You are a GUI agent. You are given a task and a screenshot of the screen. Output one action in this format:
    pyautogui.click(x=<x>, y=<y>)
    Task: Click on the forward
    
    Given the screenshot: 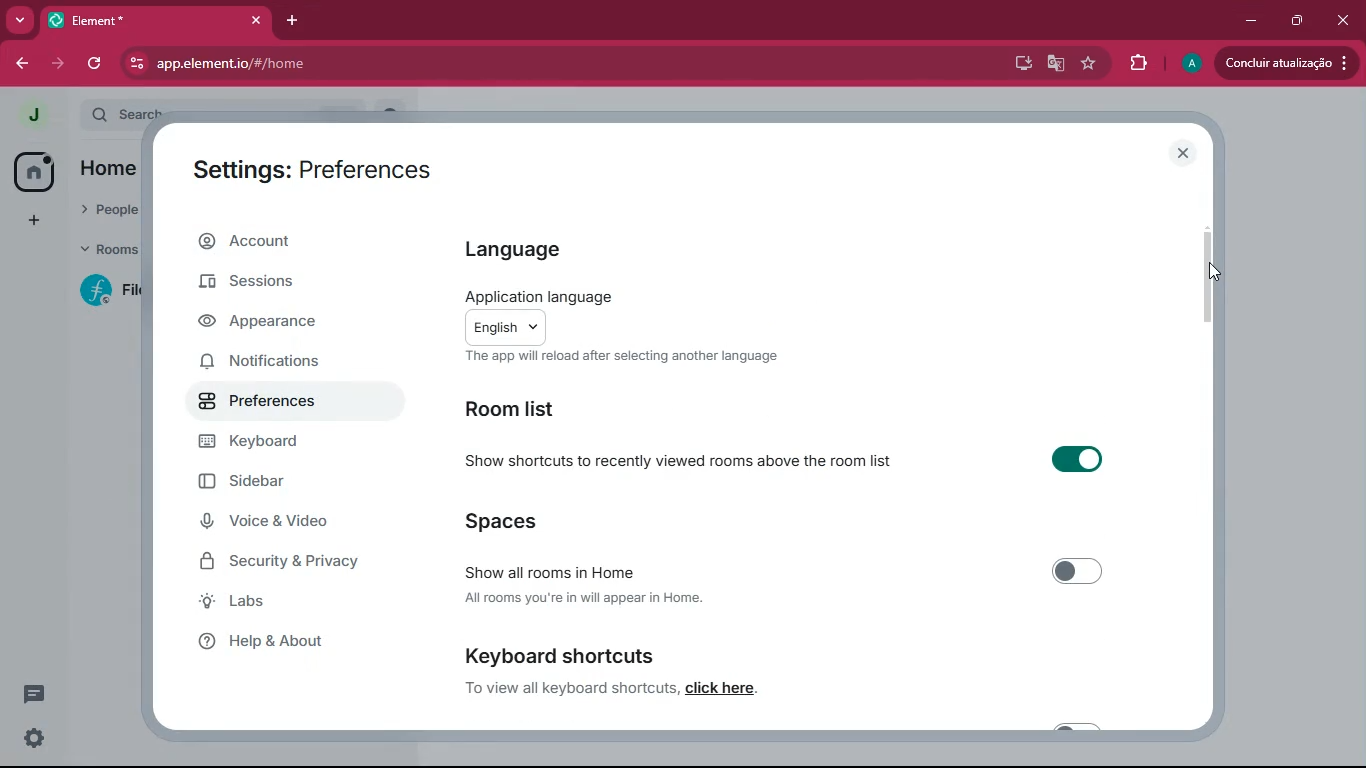 What is the action you would take?
    pyautogui.click(x=61, y=64)
    